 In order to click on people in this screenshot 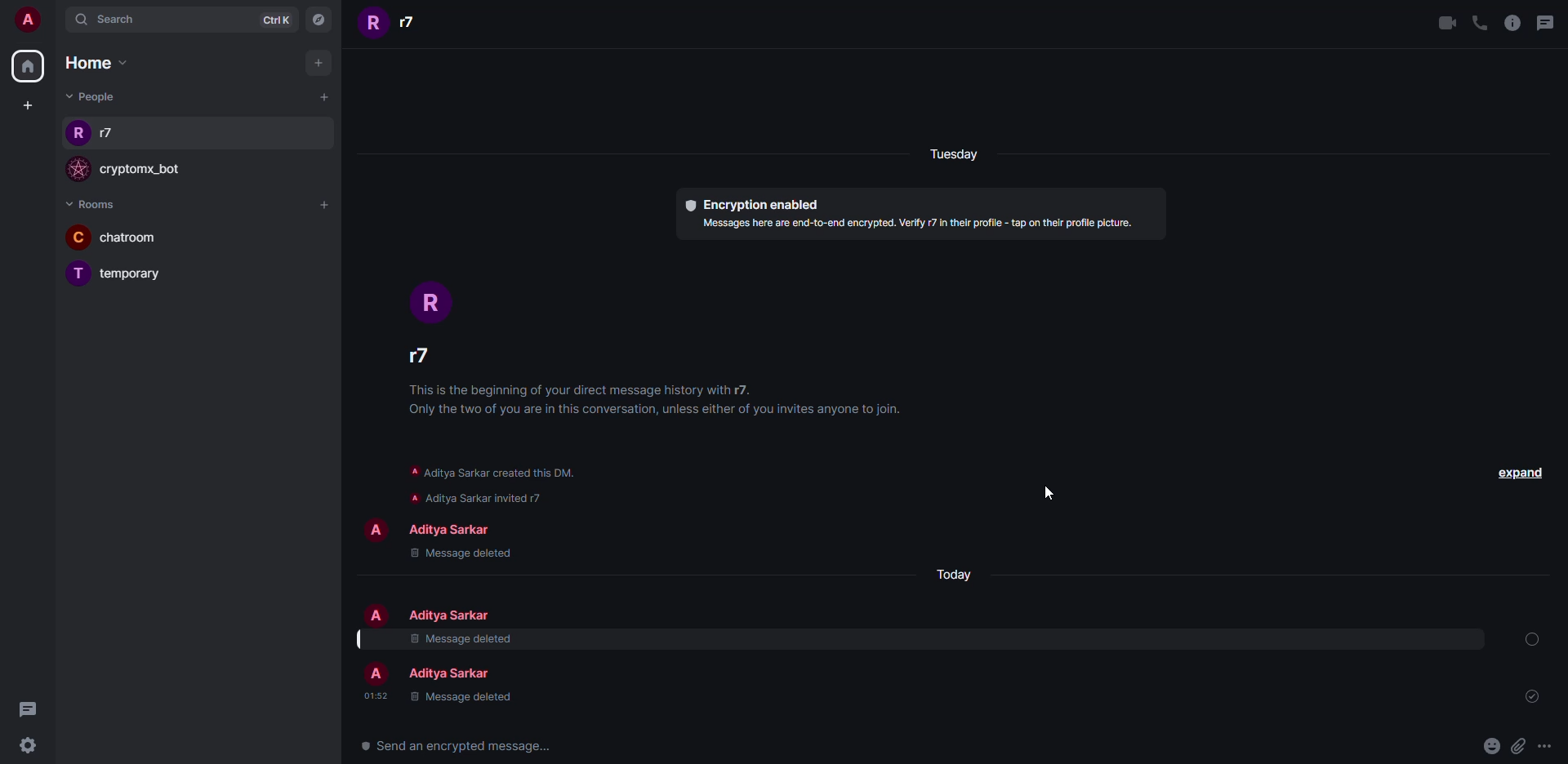, I will do `click(113, 134)`.